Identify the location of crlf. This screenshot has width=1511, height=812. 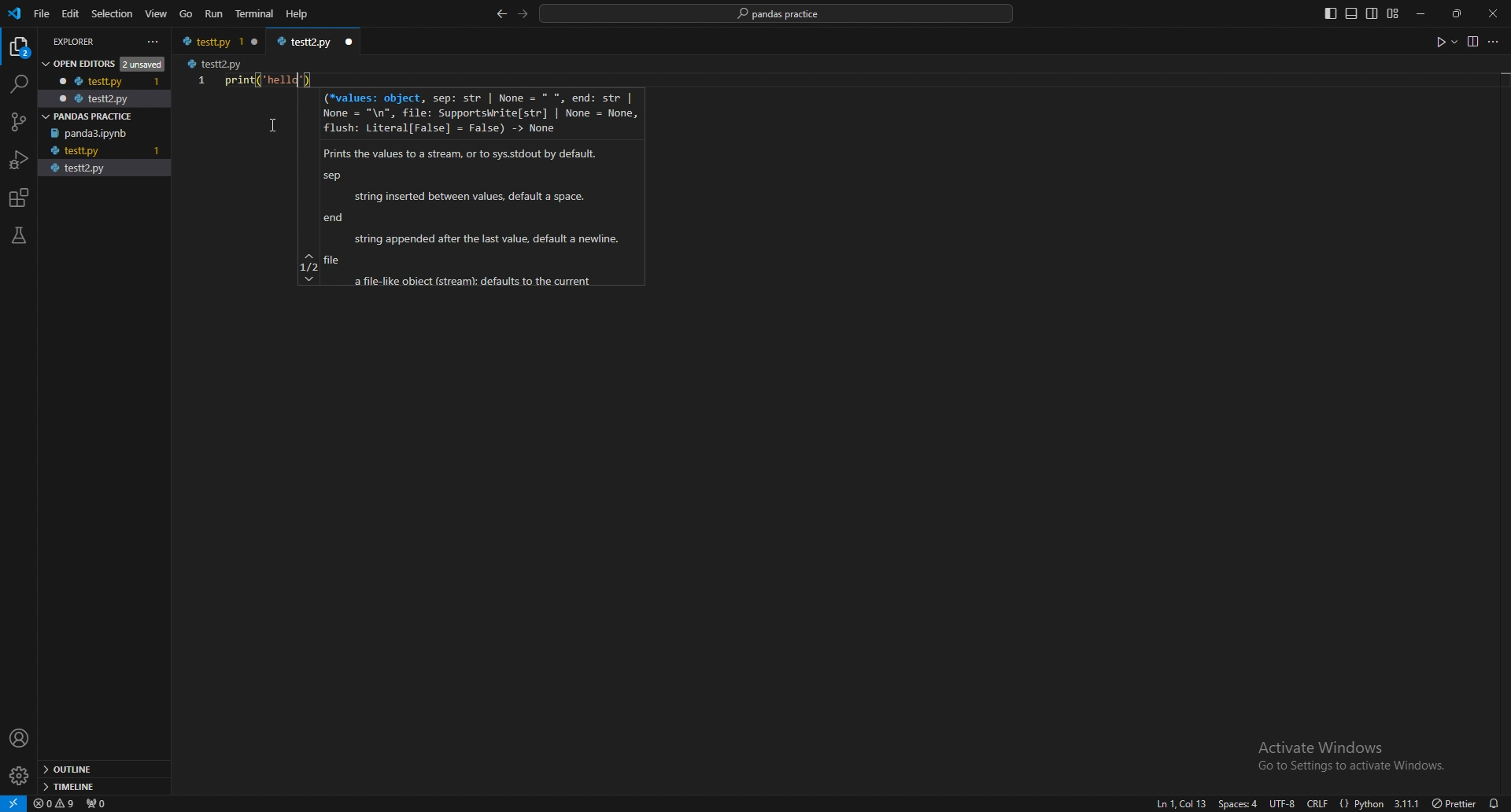
(1319, 803).